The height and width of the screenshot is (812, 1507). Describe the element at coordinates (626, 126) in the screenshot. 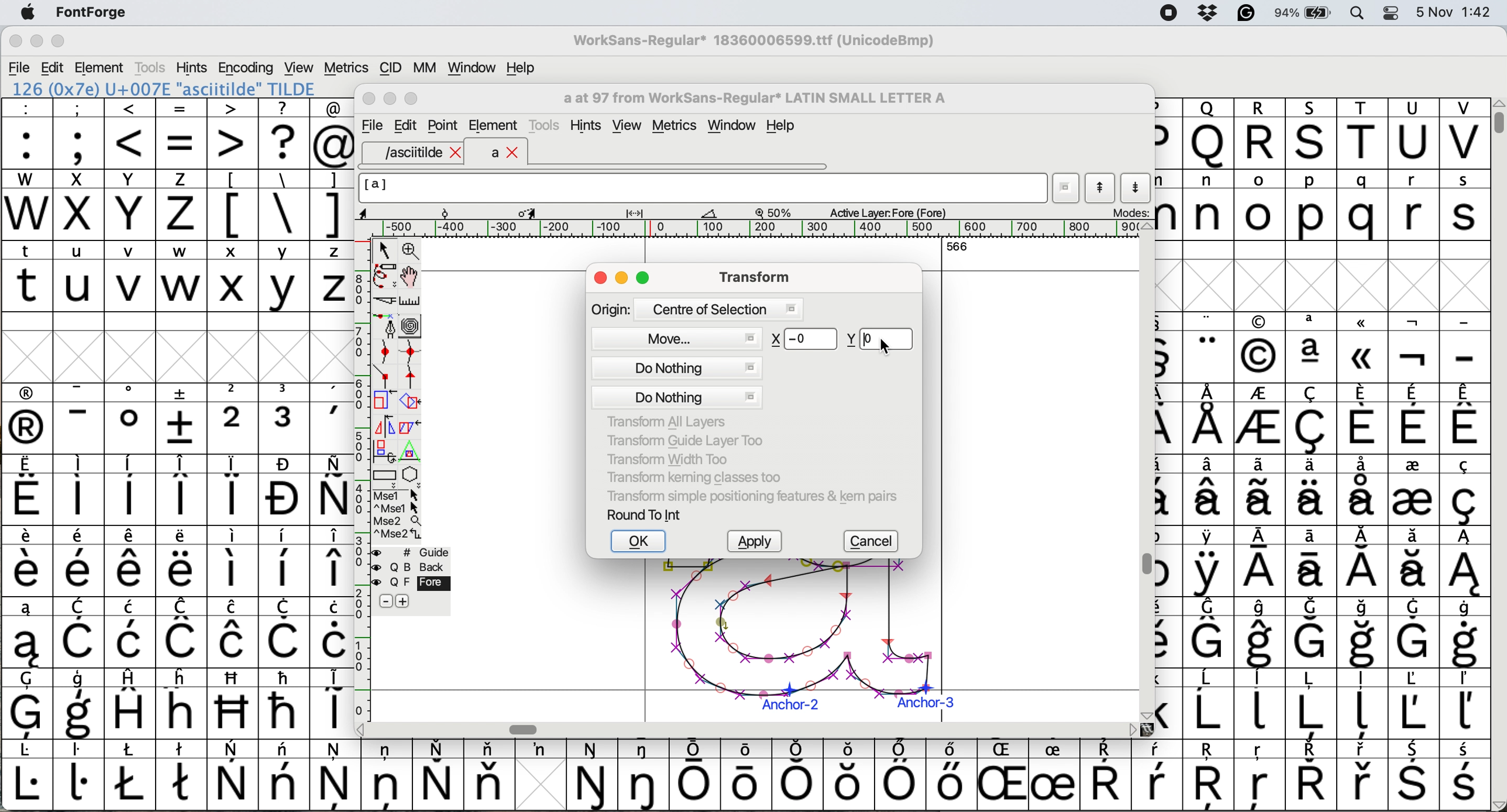

I see `view` at that location.